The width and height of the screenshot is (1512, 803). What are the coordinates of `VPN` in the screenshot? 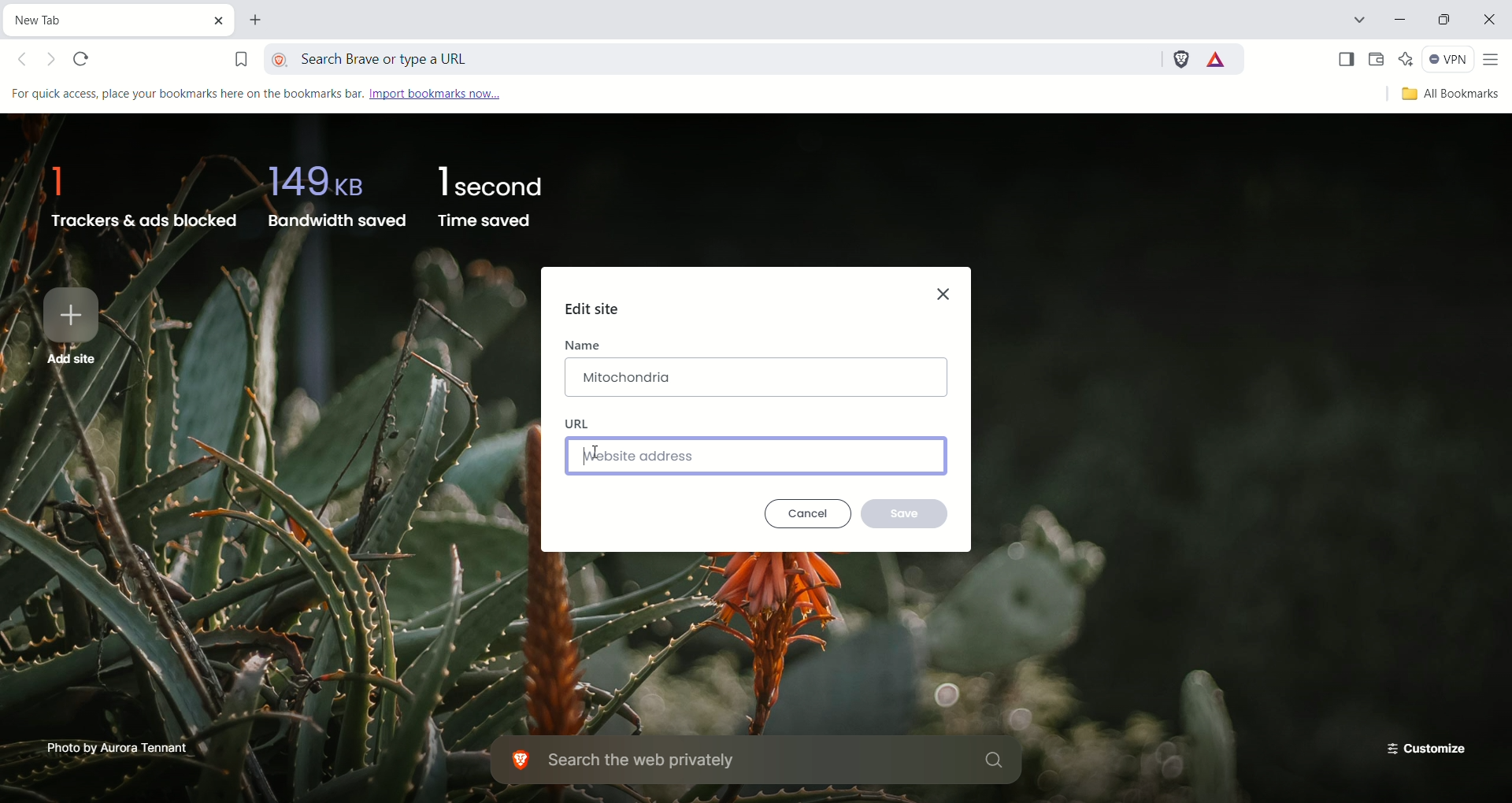 It's located at (1448, 61).